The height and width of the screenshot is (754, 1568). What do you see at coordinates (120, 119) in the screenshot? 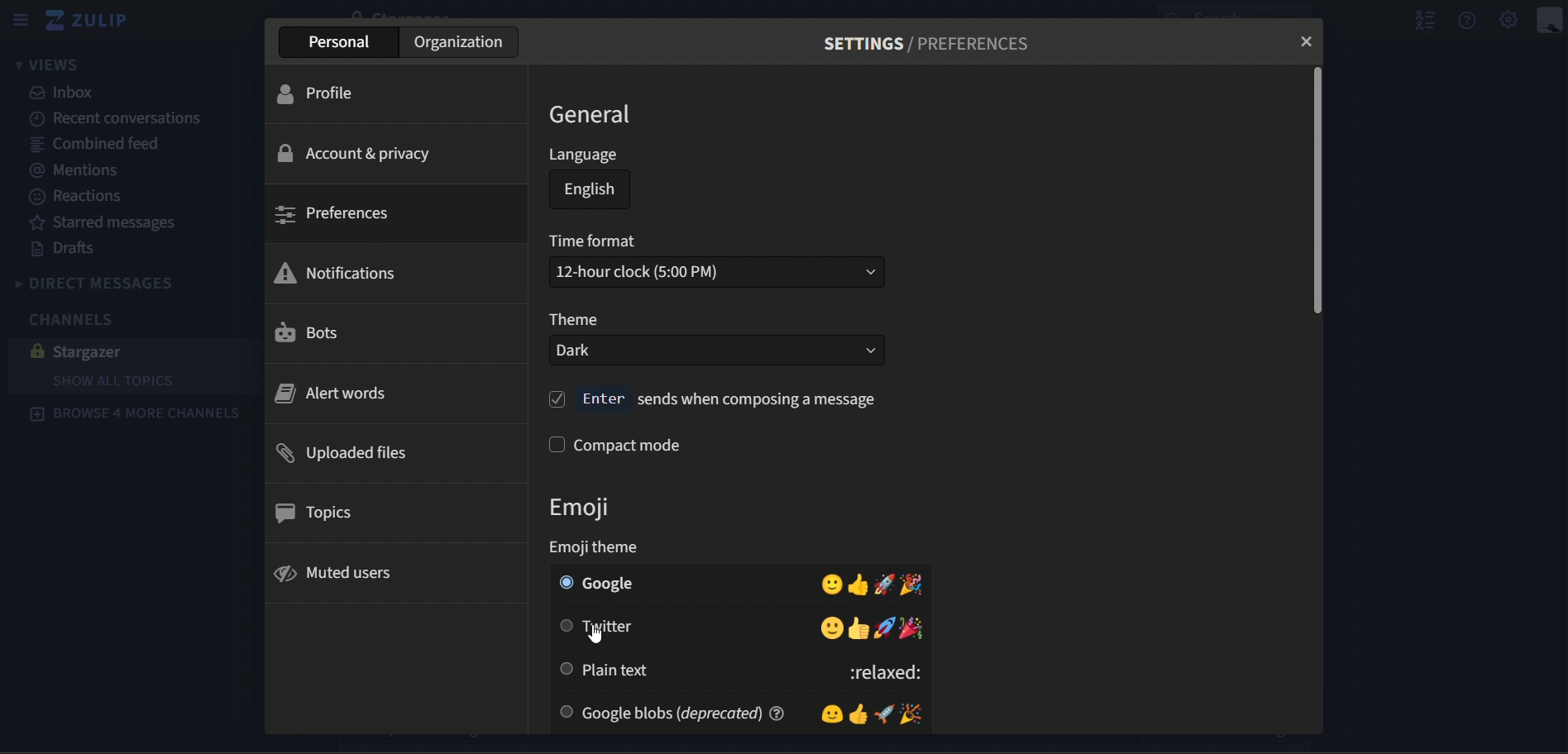
I see `recent conversations` at bounding box center [120, 119].